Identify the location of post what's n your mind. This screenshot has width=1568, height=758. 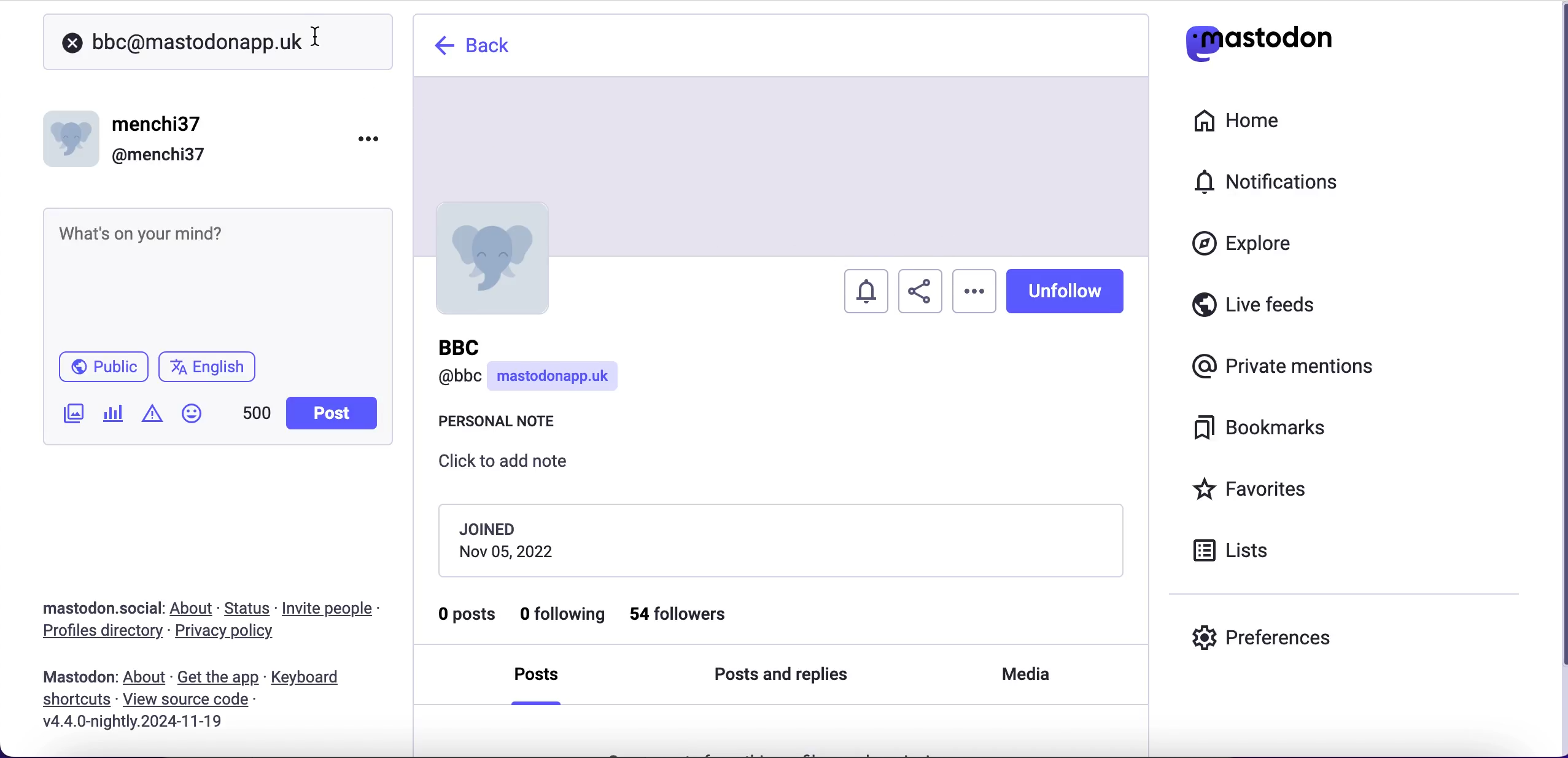
(219, 276).